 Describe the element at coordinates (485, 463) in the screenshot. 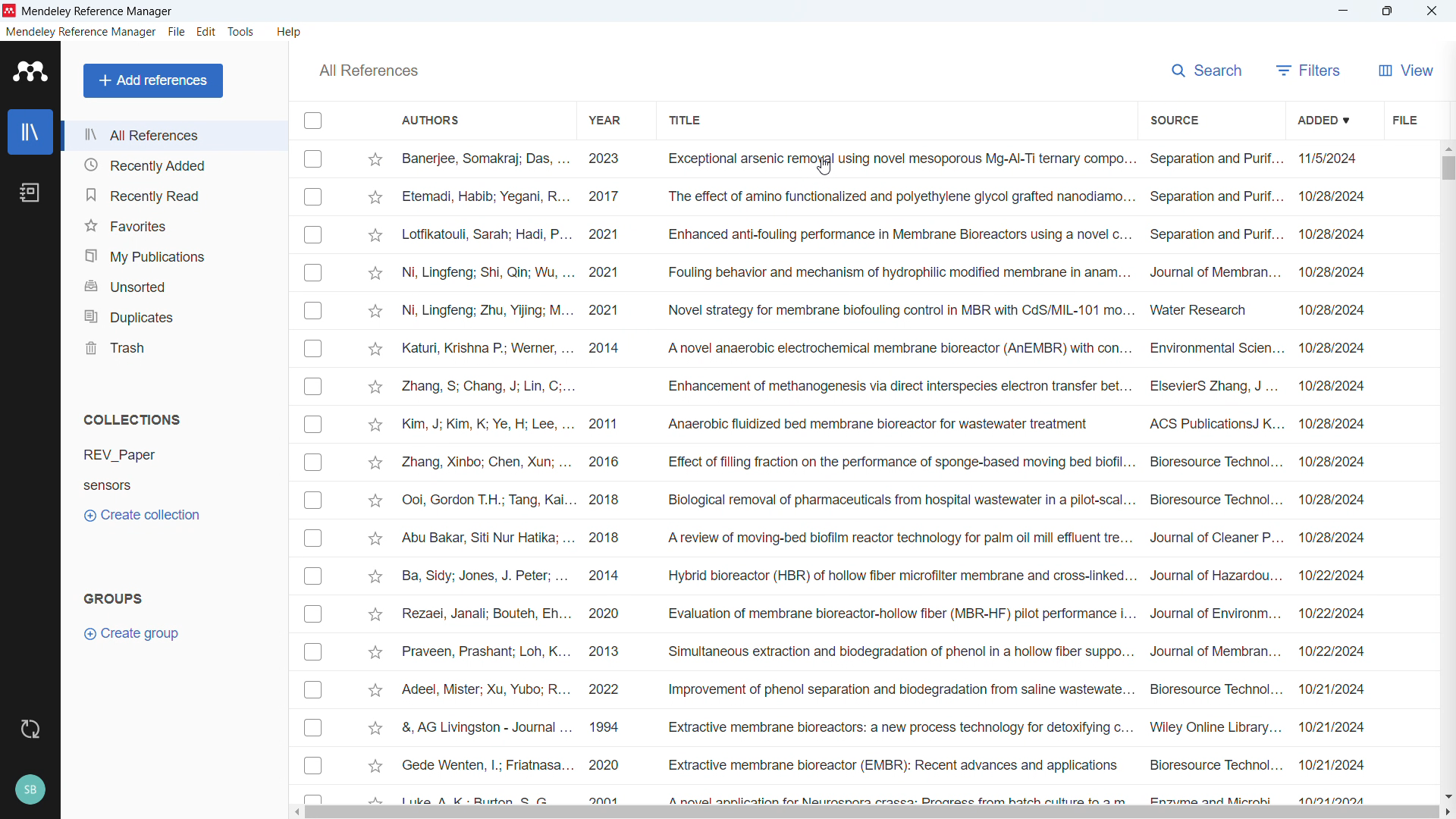

I see `zhang,xinbo,chen,xun` at that location.